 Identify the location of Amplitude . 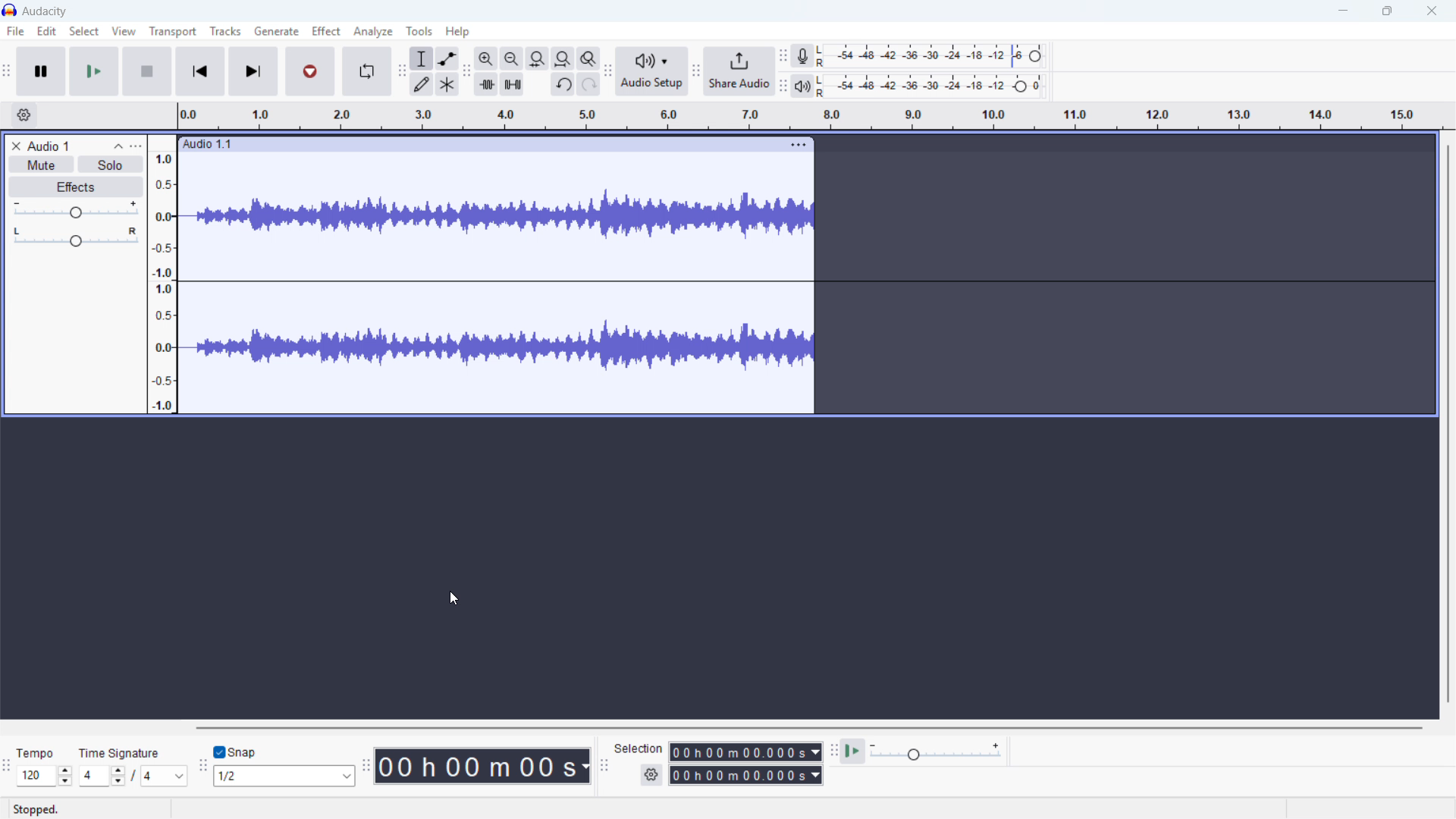
(162, 274).